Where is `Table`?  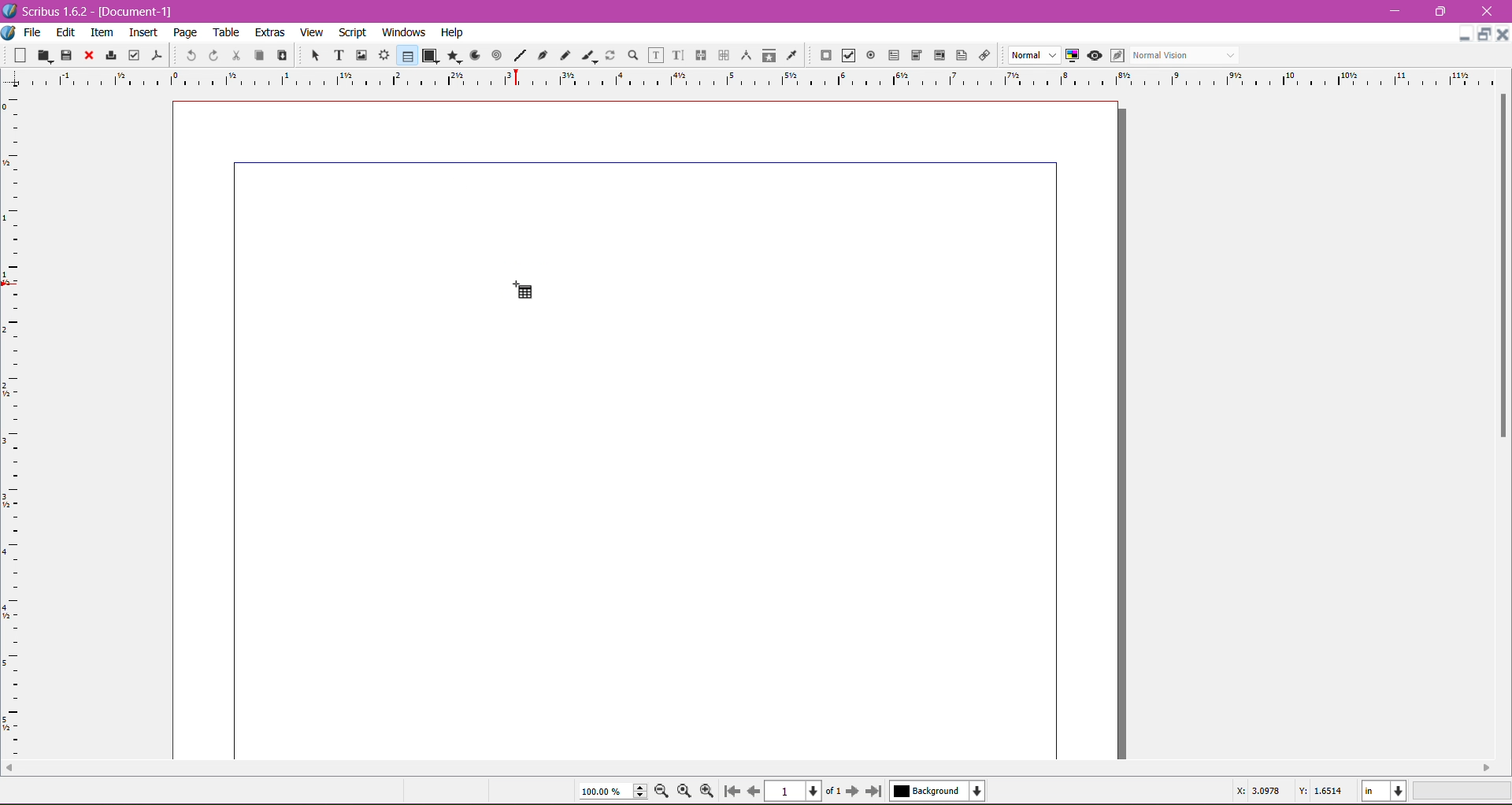 Table is located at coordinates (228, 32).